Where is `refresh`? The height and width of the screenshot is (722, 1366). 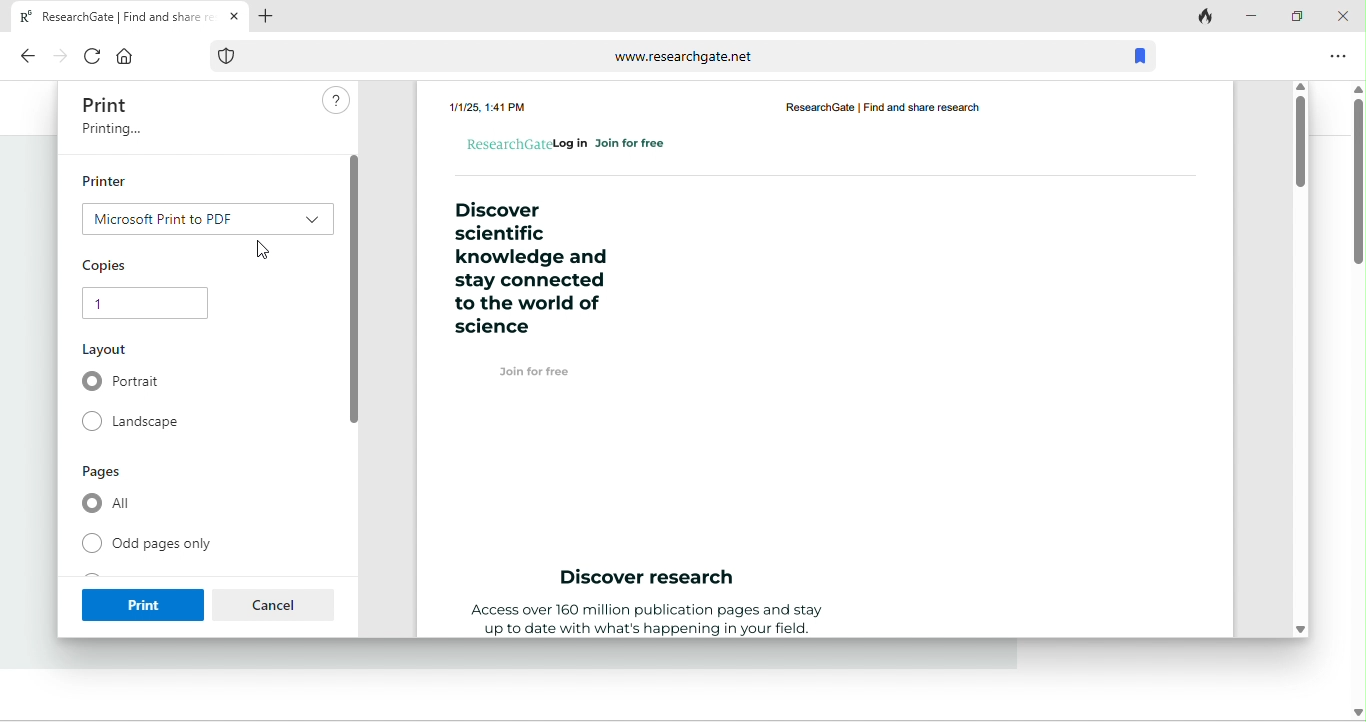
refresh is located at coordinates (87, 55).